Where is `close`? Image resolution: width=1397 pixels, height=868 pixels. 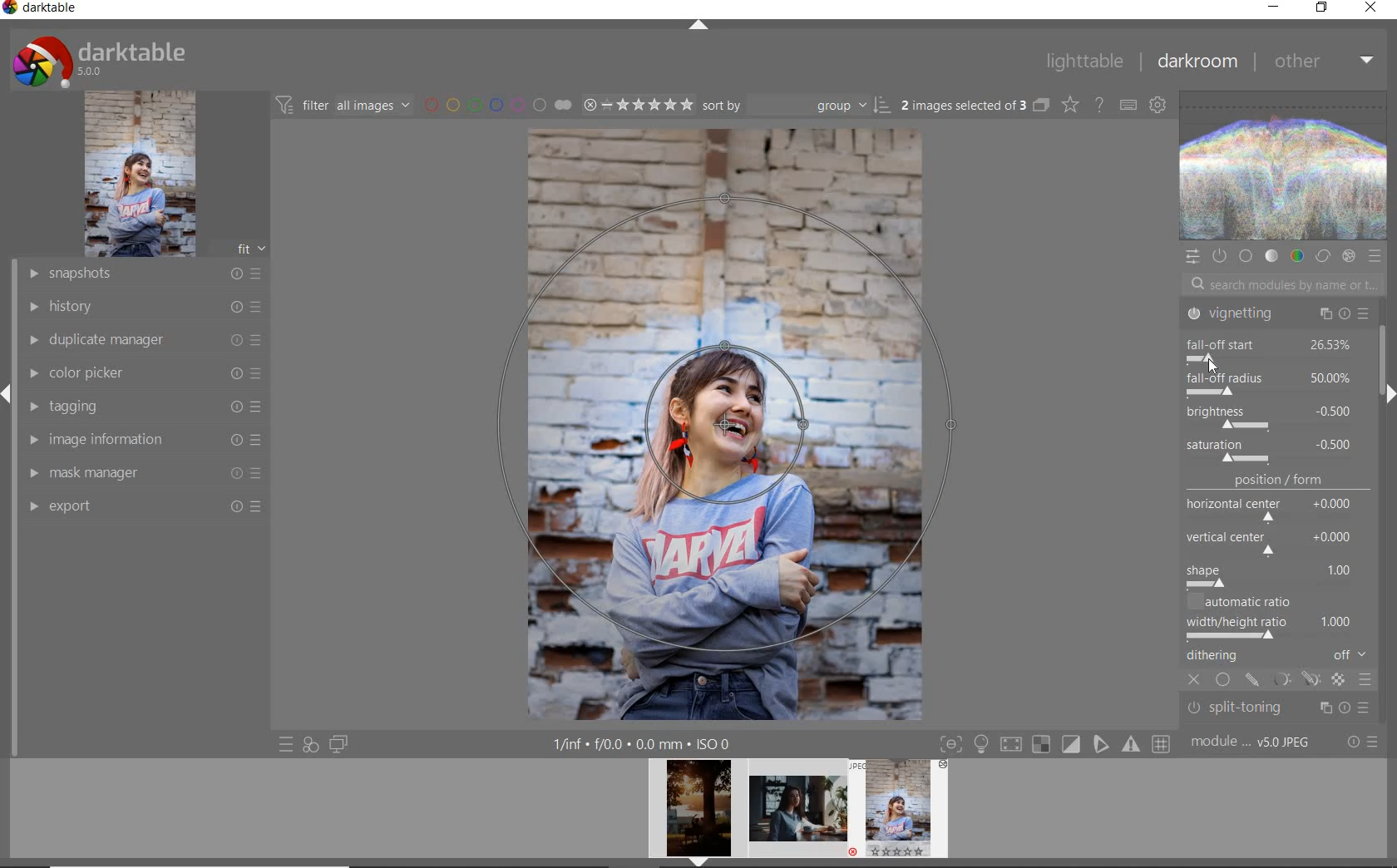 close is located at coordinates (1196, 681).